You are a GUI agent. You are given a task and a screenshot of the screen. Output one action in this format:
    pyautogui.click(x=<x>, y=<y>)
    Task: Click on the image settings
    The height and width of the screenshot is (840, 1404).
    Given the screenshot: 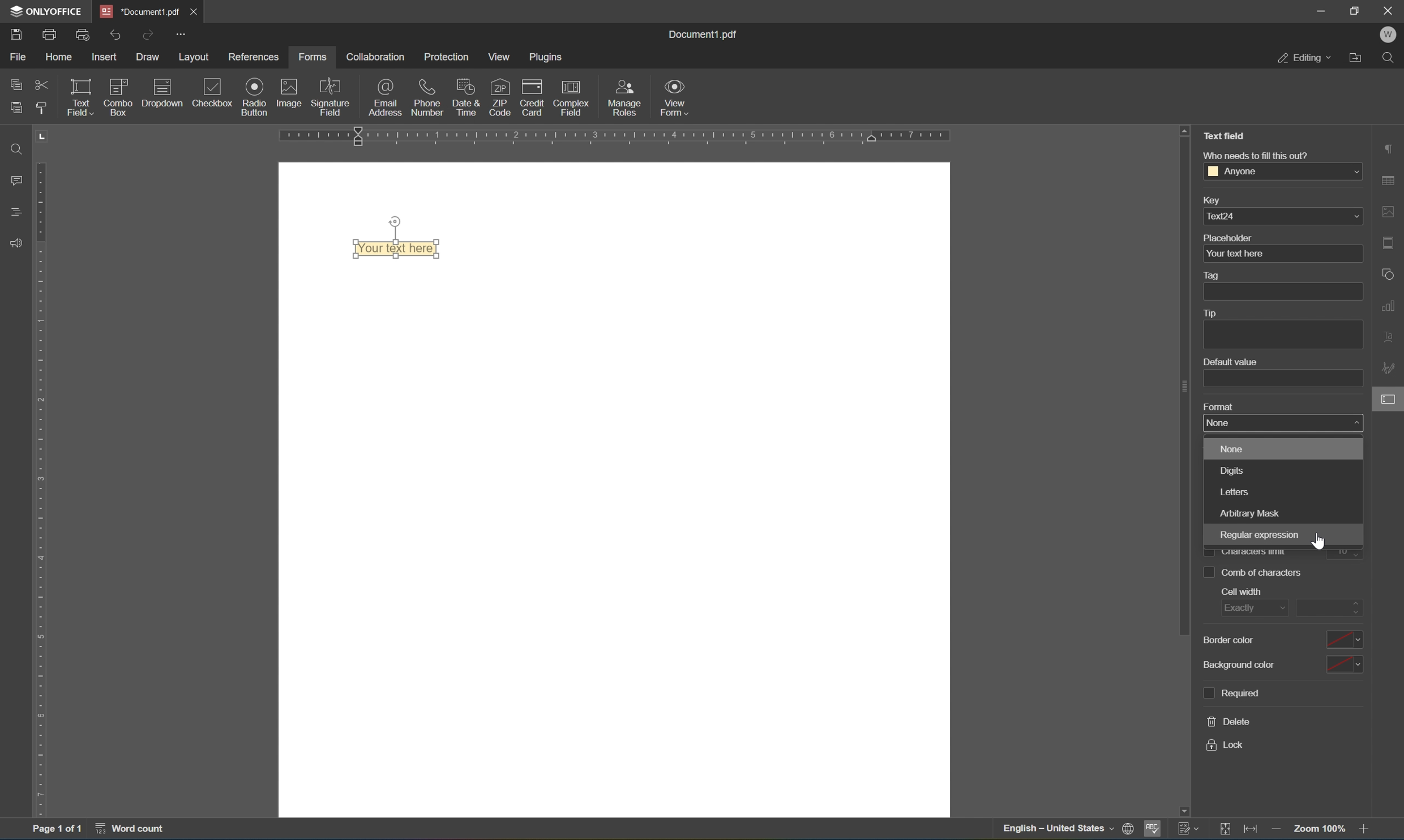 What is the action you would take?
    pyautogui.click(x=1389, y=212)
    